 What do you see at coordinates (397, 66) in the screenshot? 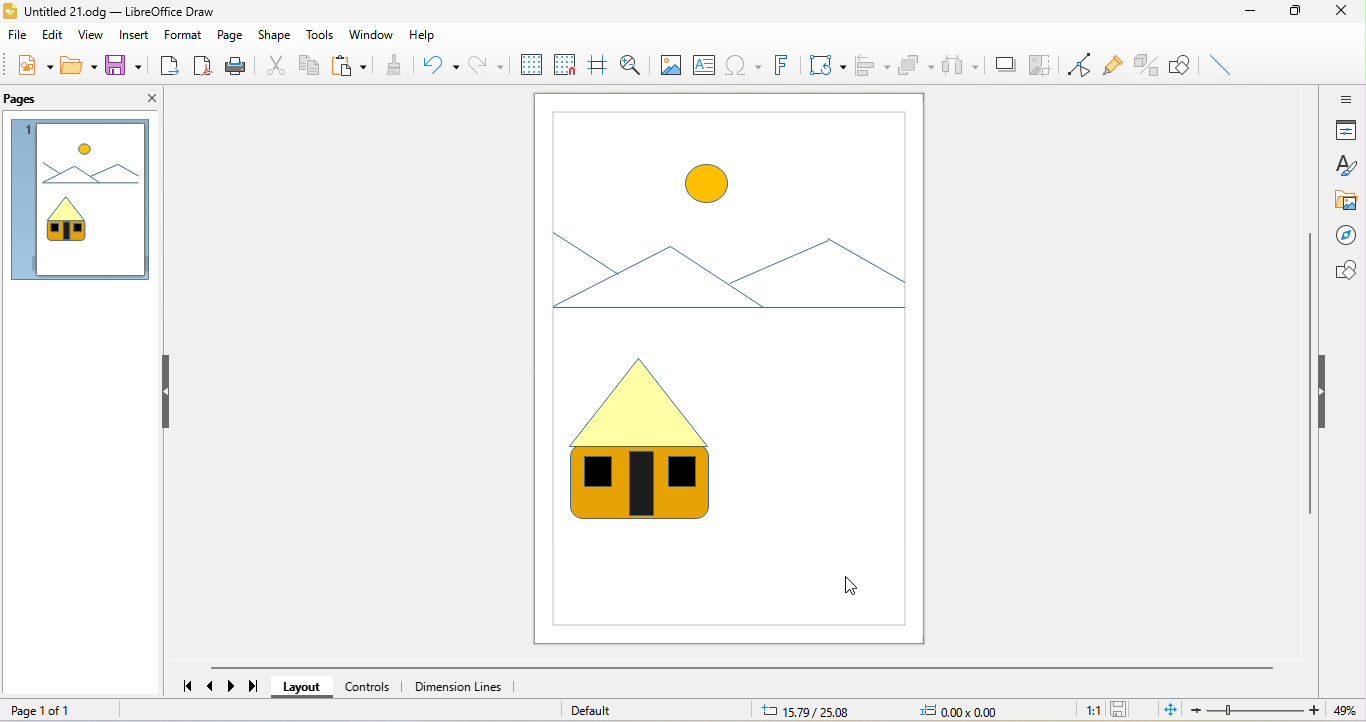
I see `clone` at bounding box center [397, 66].